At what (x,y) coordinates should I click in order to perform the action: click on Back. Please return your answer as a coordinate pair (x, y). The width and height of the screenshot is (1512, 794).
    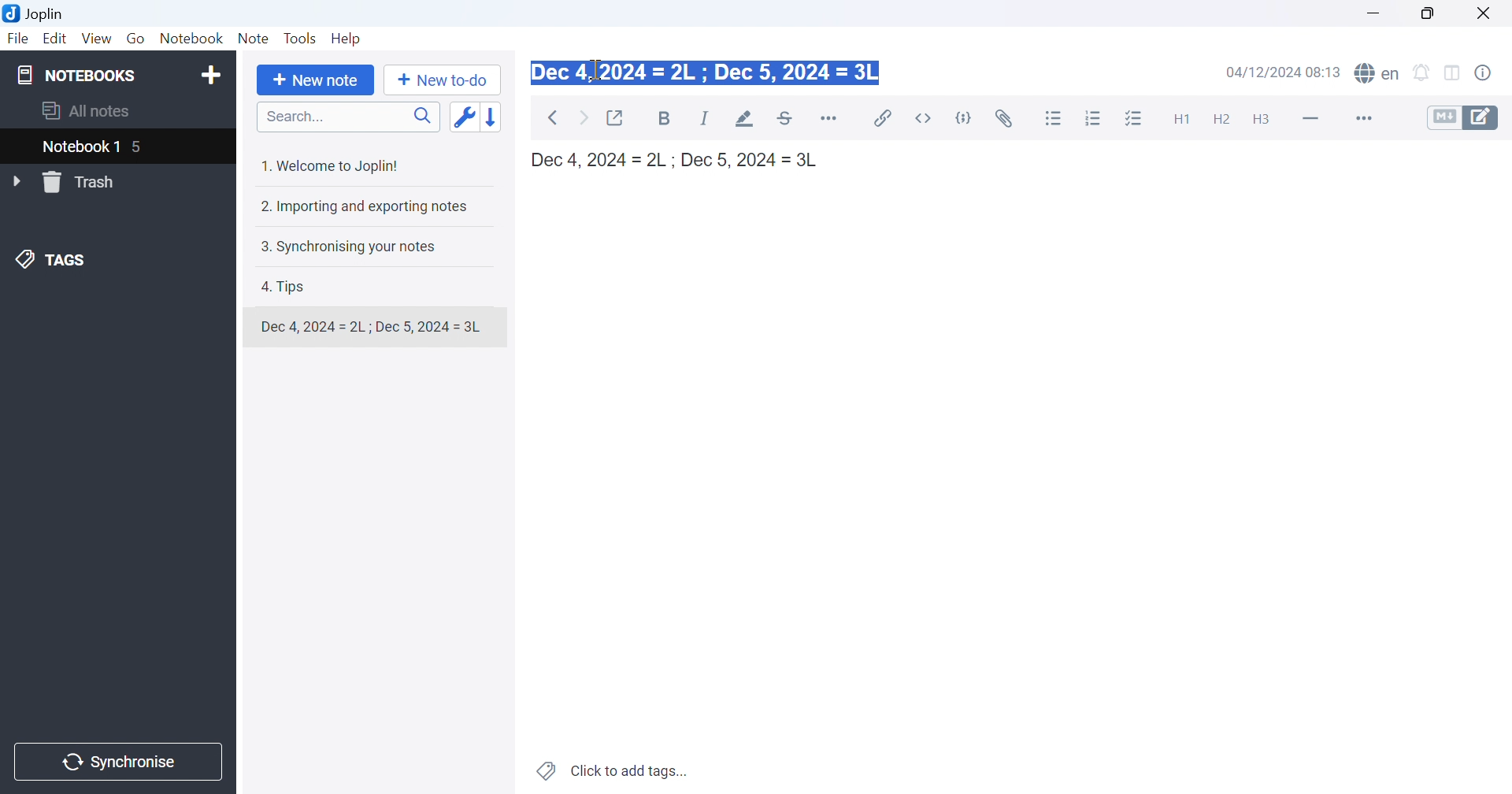
    Looking at the image, I should click on (551, 118).